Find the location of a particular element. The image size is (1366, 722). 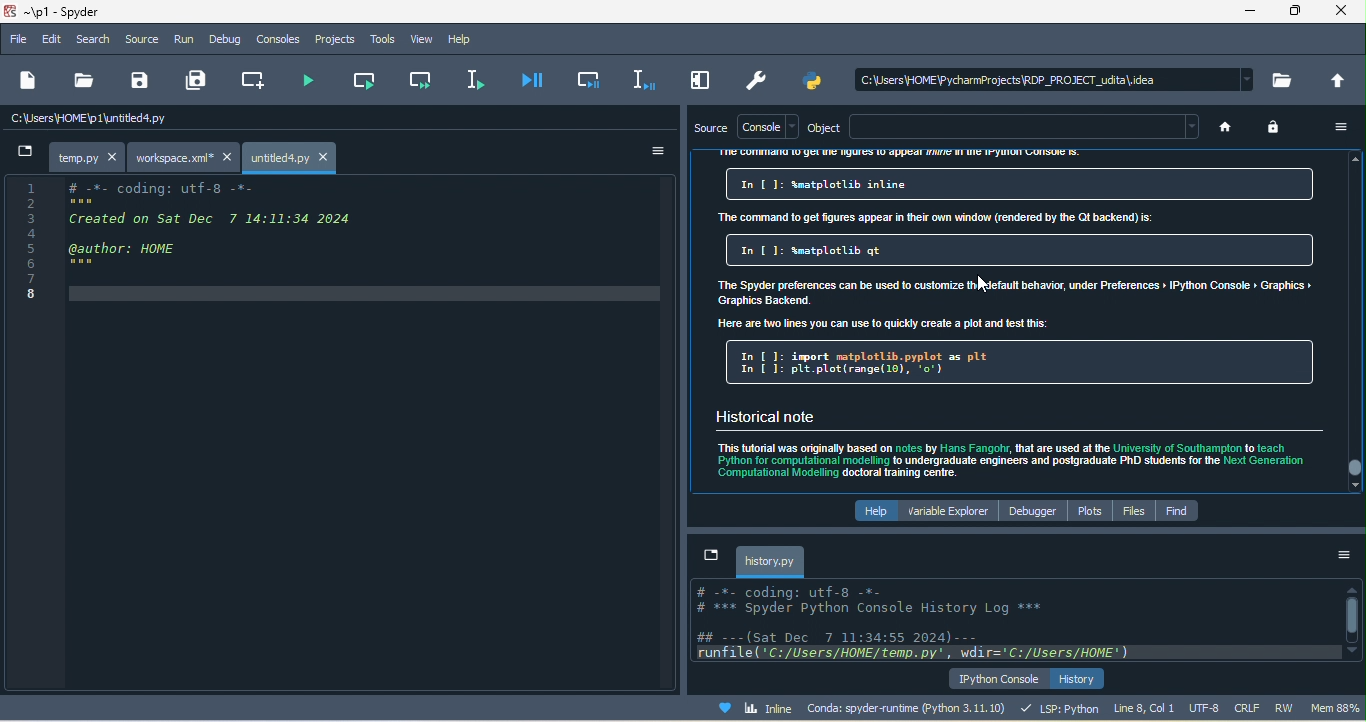

utf 8 is located at coordinates (1209, 710).